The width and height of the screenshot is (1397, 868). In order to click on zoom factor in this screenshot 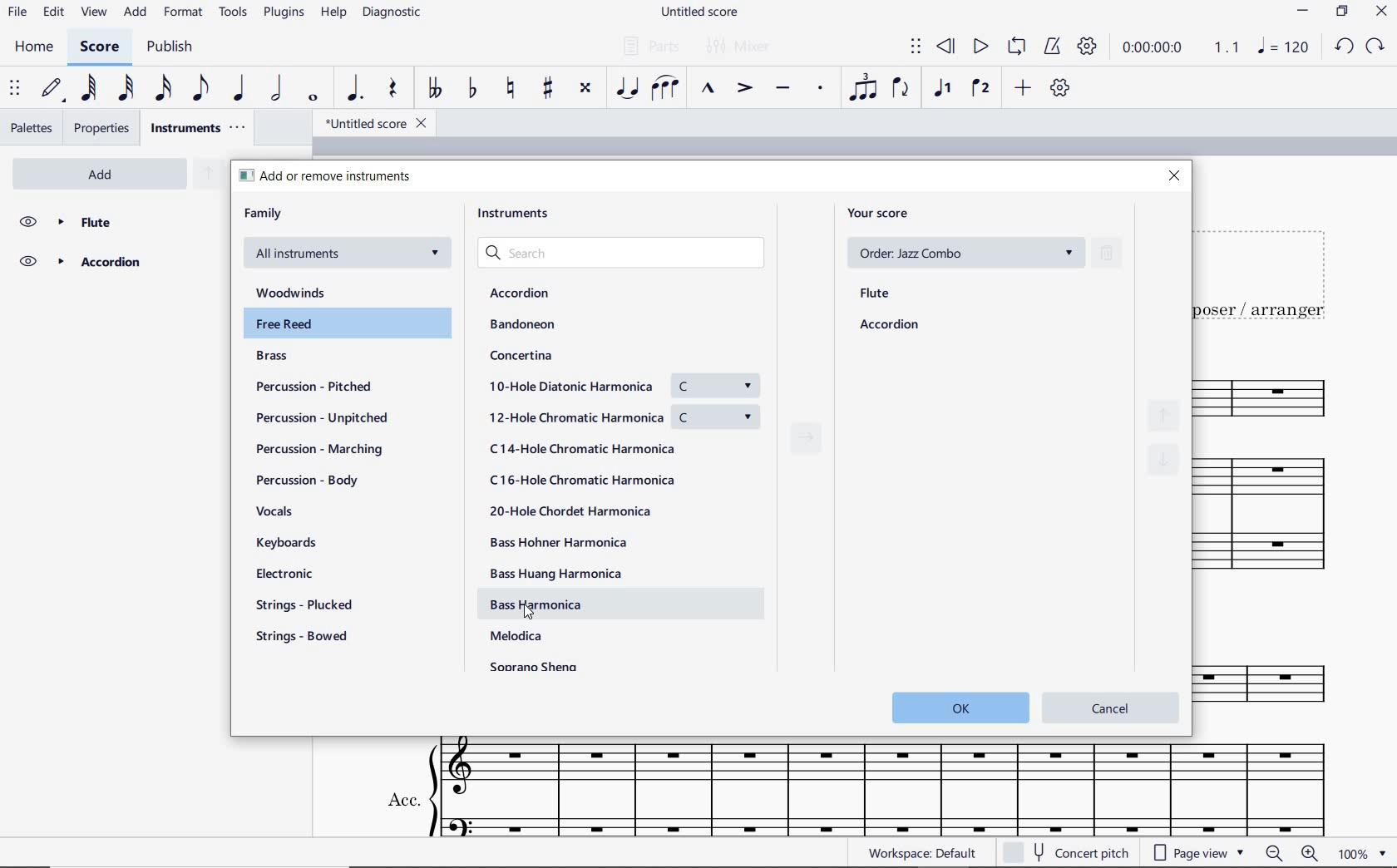, I will do `click(1350, 855)`.